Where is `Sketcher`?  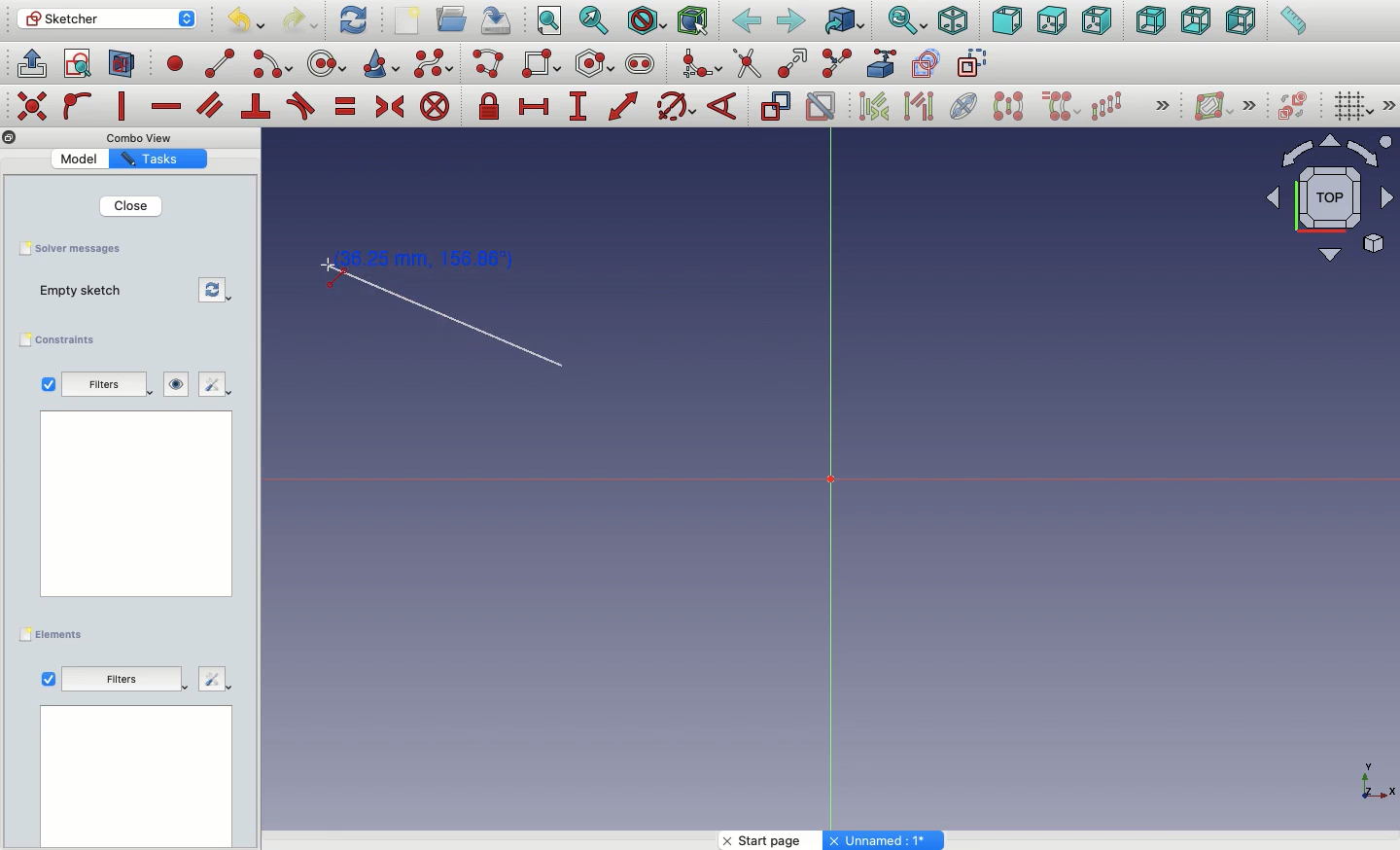
Sketcher is located at coordinates (108, 19).